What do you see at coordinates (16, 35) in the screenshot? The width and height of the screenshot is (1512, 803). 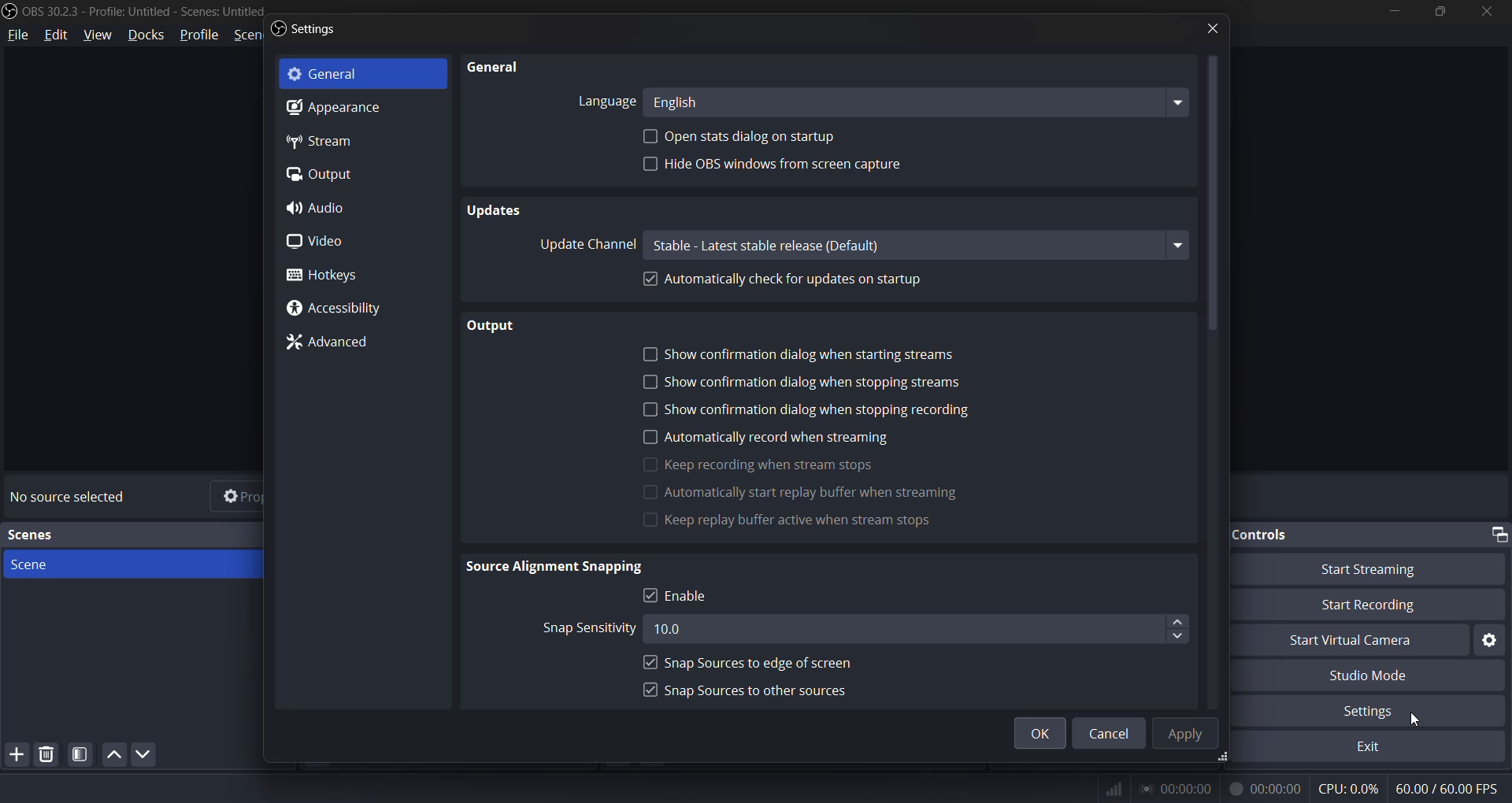 I see `file` at bounding box center [16, 35].